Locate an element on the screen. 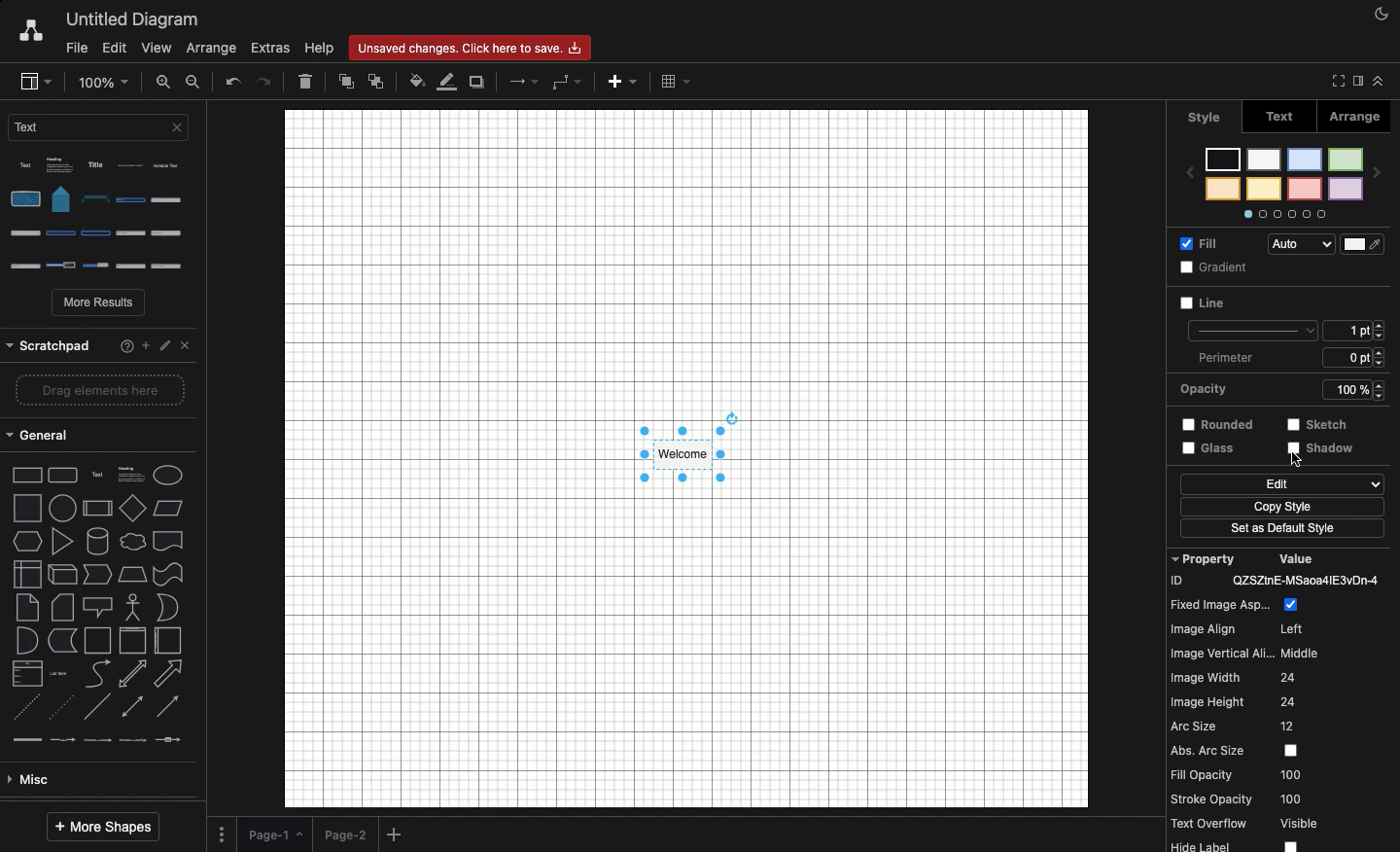 This screenshot has width=1400, height=852. Waypoints is located at coordinates (567, 83).